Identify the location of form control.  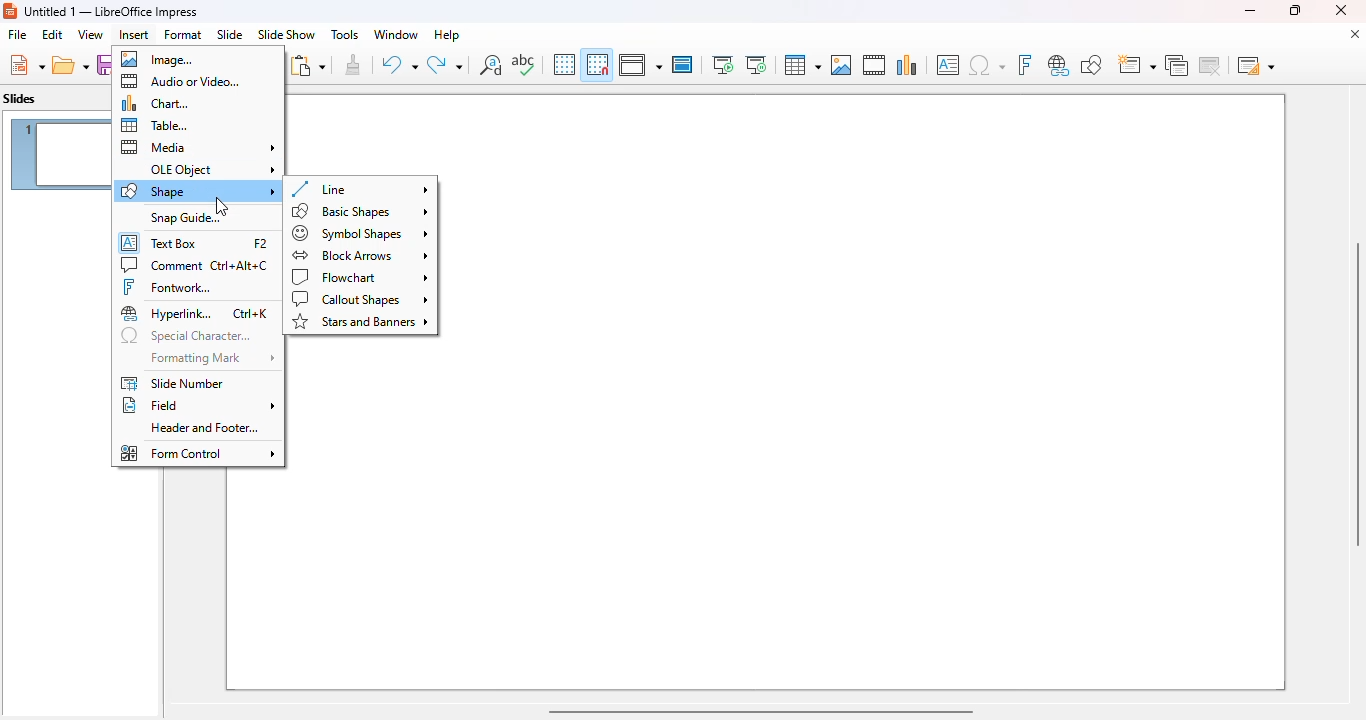
(198, 453).